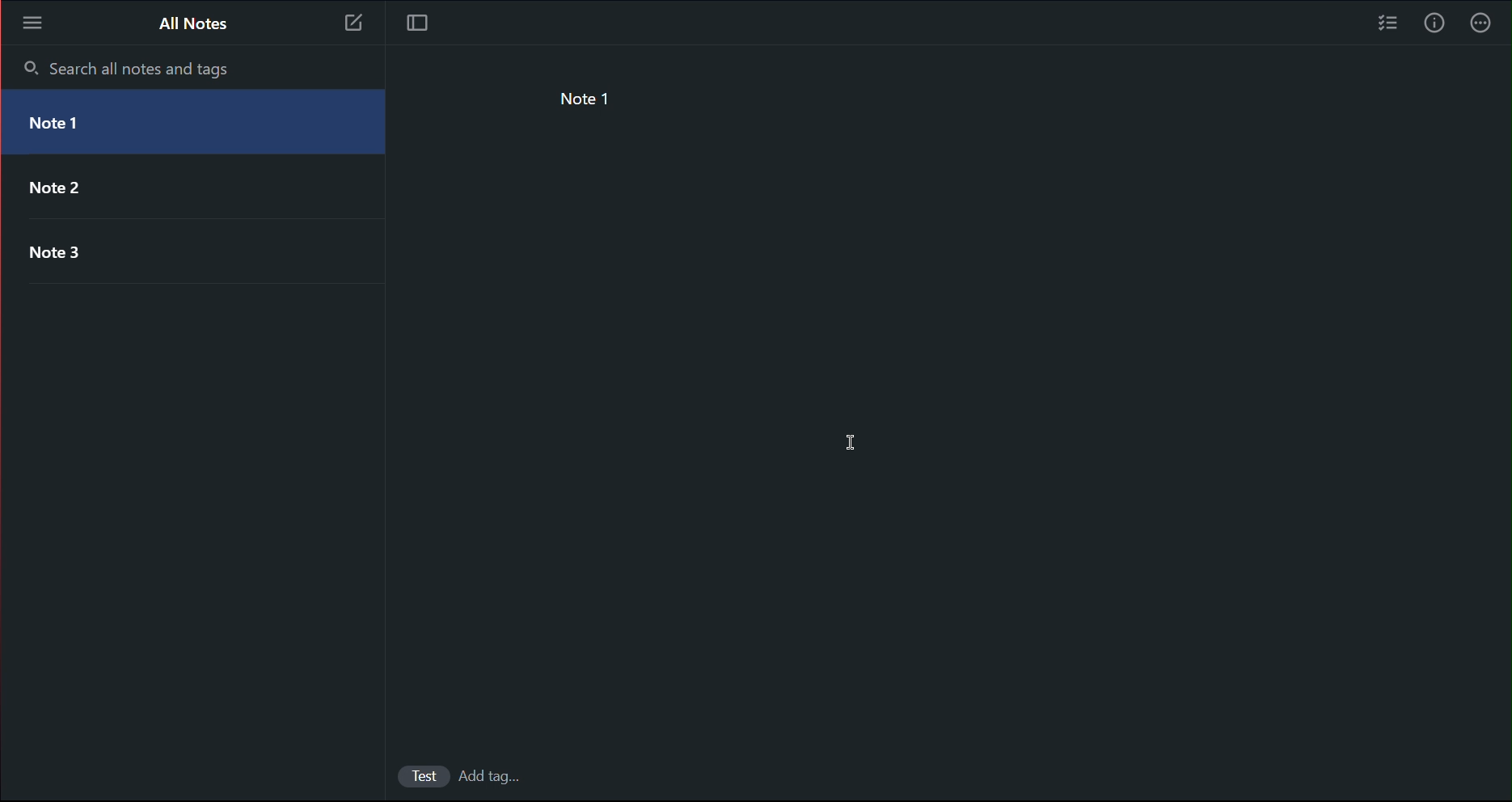 The height and width of the screenshot is (802, 1512). What do you see at coordinates (417, 775) in the screenshot?
I see `Test` at bounding box center [417, 775].